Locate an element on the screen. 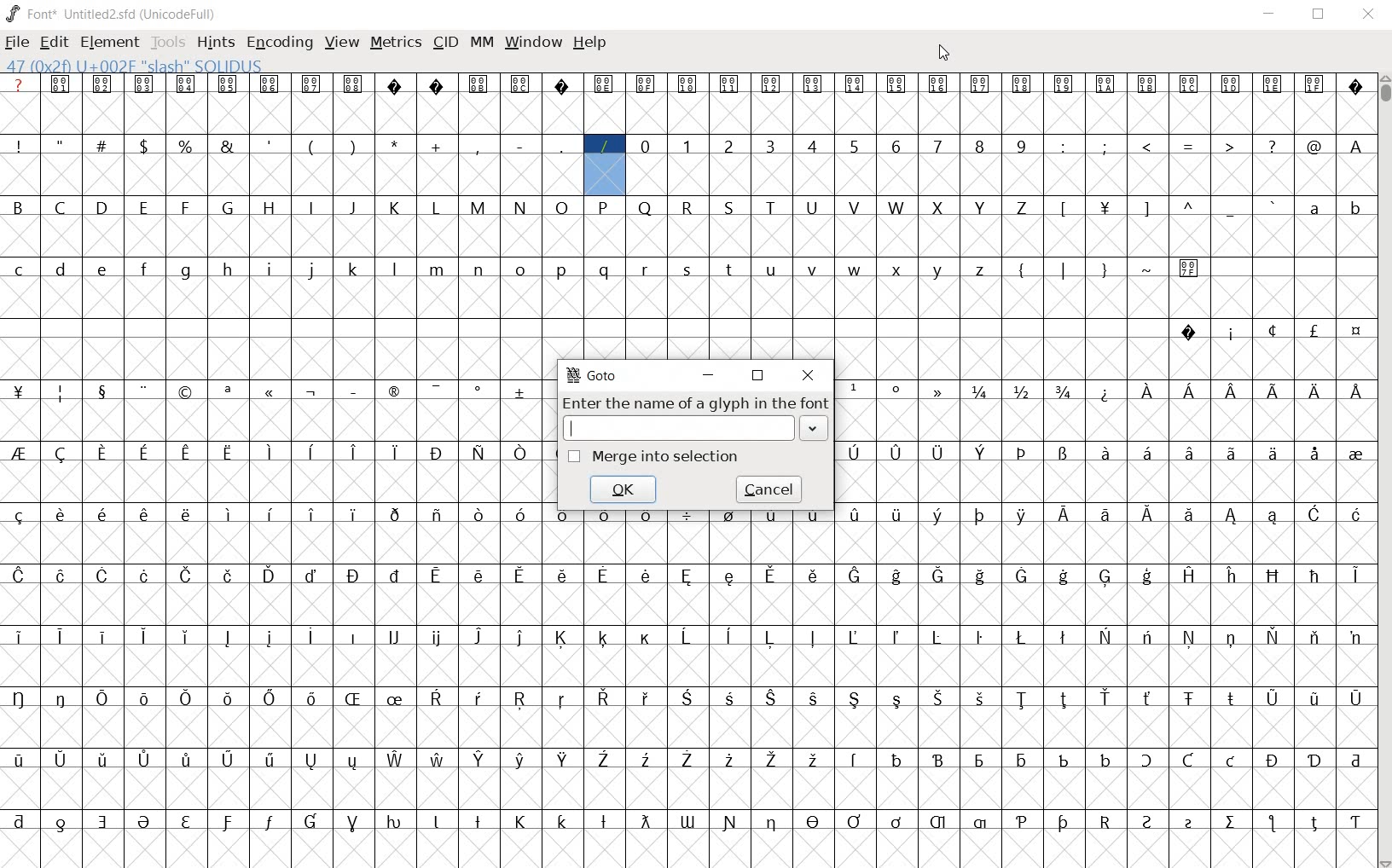 The width and height of the screenshot is (1392, 868). checkbox is located at coordinates (575, 457).